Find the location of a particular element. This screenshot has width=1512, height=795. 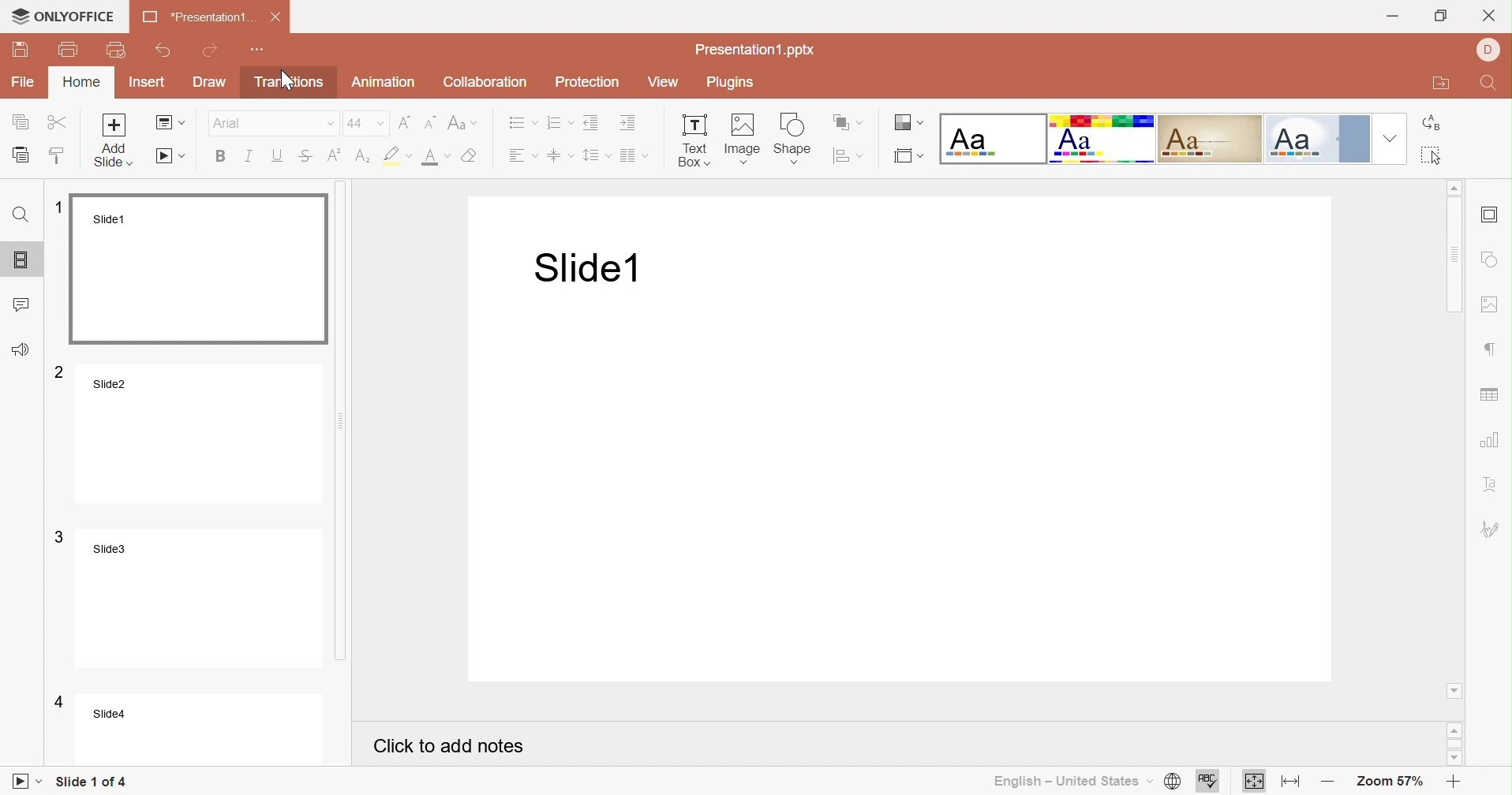

Animation is located at coordinates (384, 82).